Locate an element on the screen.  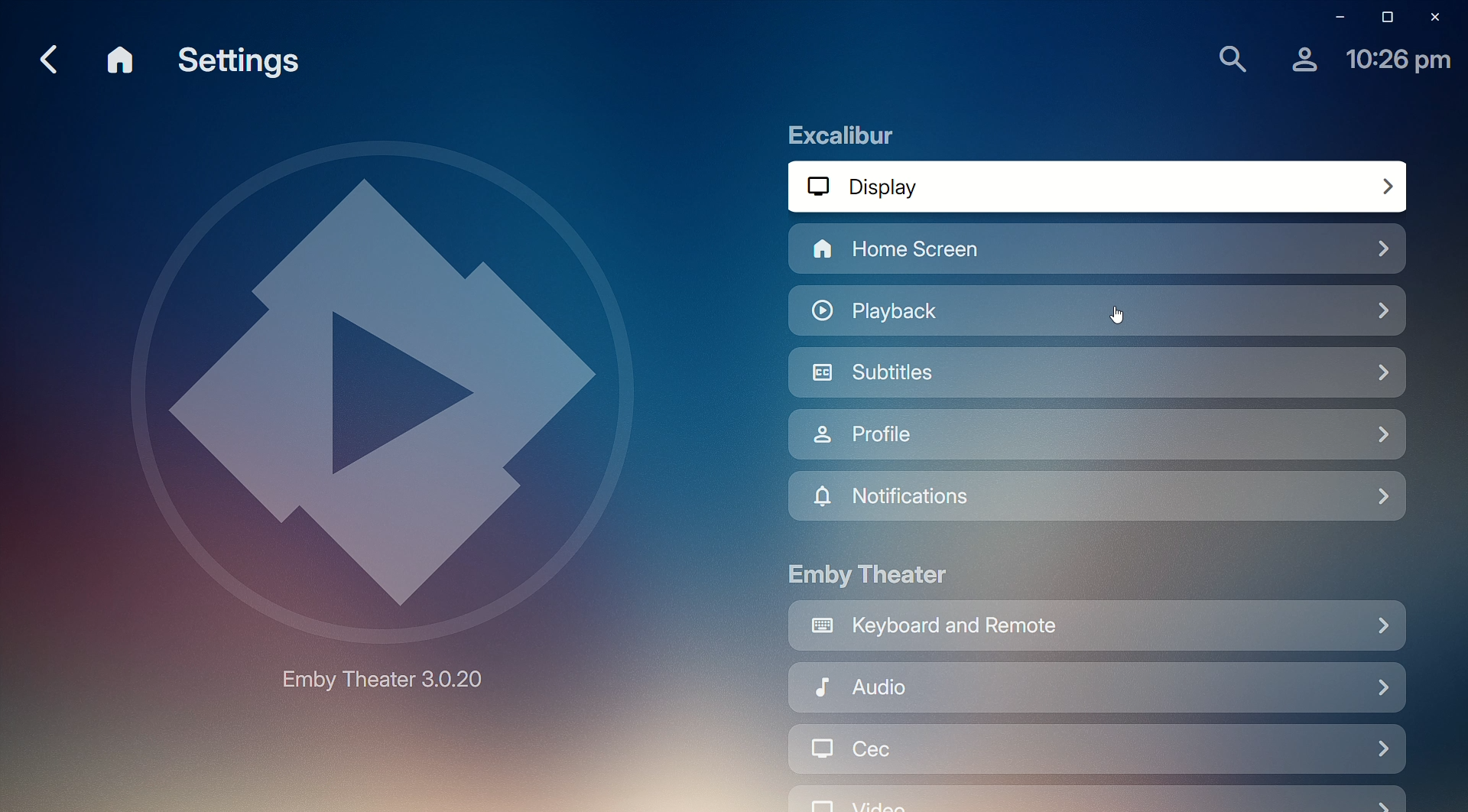
Notifications is located at coordinates (1097, 499).